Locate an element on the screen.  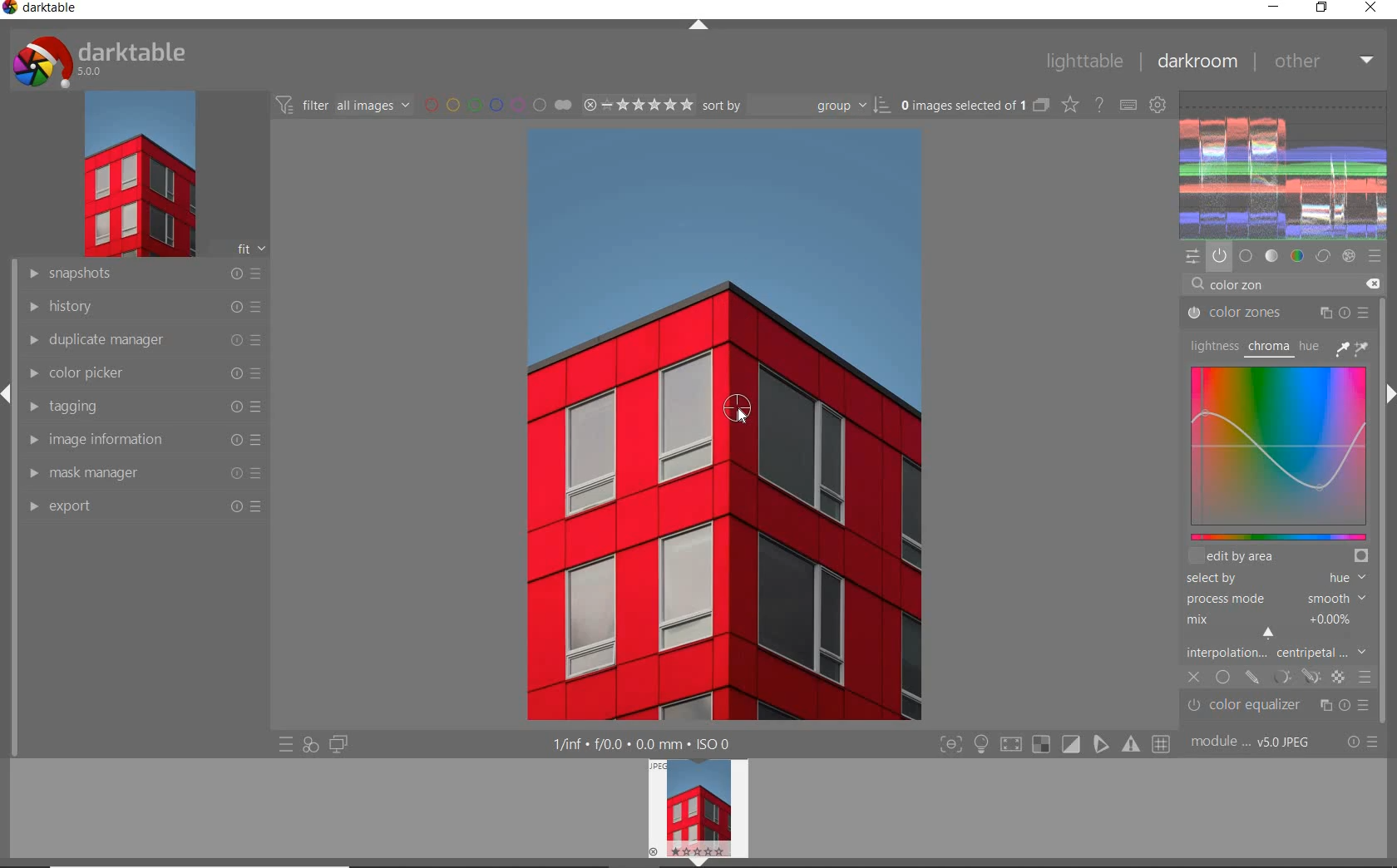
waveform is located at coordinates (1285, 163).